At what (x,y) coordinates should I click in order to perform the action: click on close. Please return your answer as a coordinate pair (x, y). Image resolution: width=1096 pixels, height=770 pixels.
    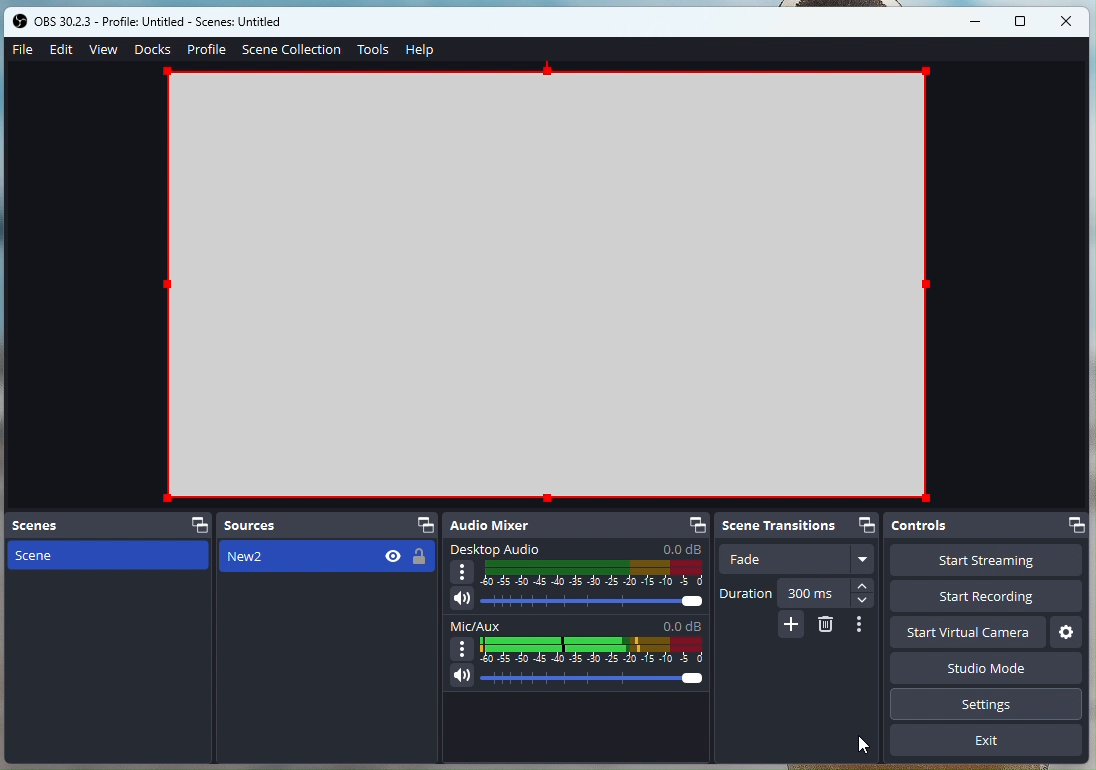
    Looking at the image, I should click on (1071, 21).